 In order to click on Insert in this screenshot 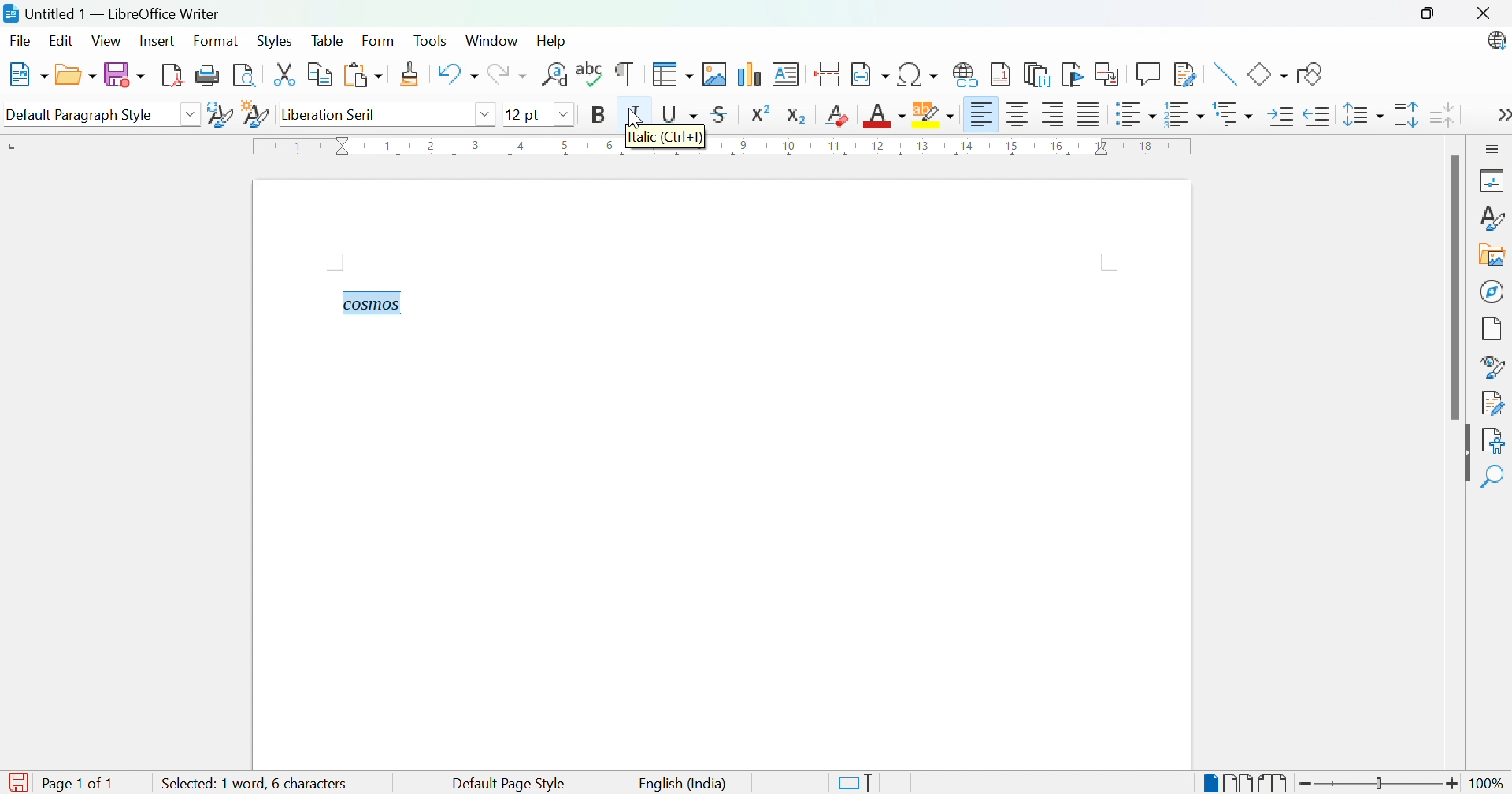, I will do `click(159, 40)`.